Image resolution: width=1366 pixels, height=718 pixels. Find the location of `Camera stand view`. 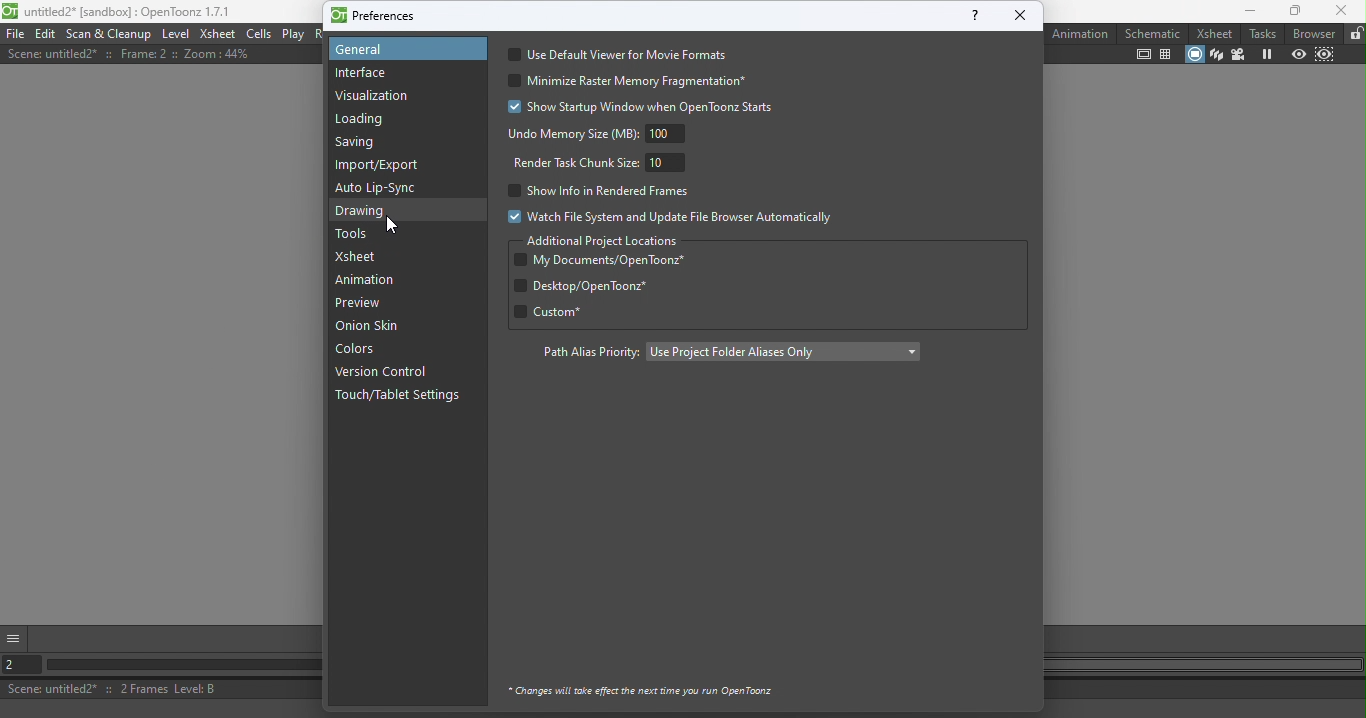

Camera stand view is located at coordinates (1193, 56).